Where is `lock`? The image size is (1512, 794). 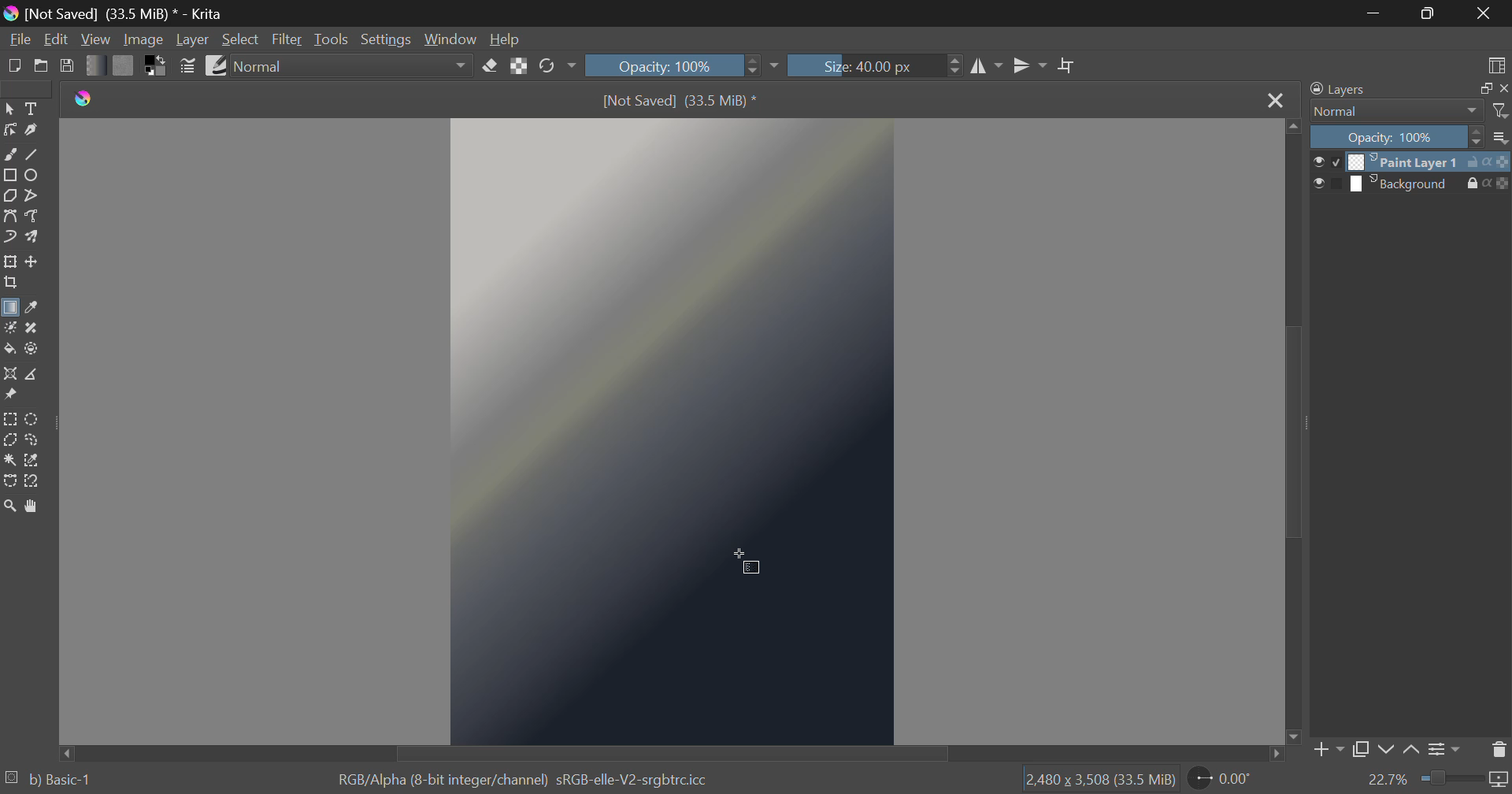 lock is located at coordinates (1476, 184).